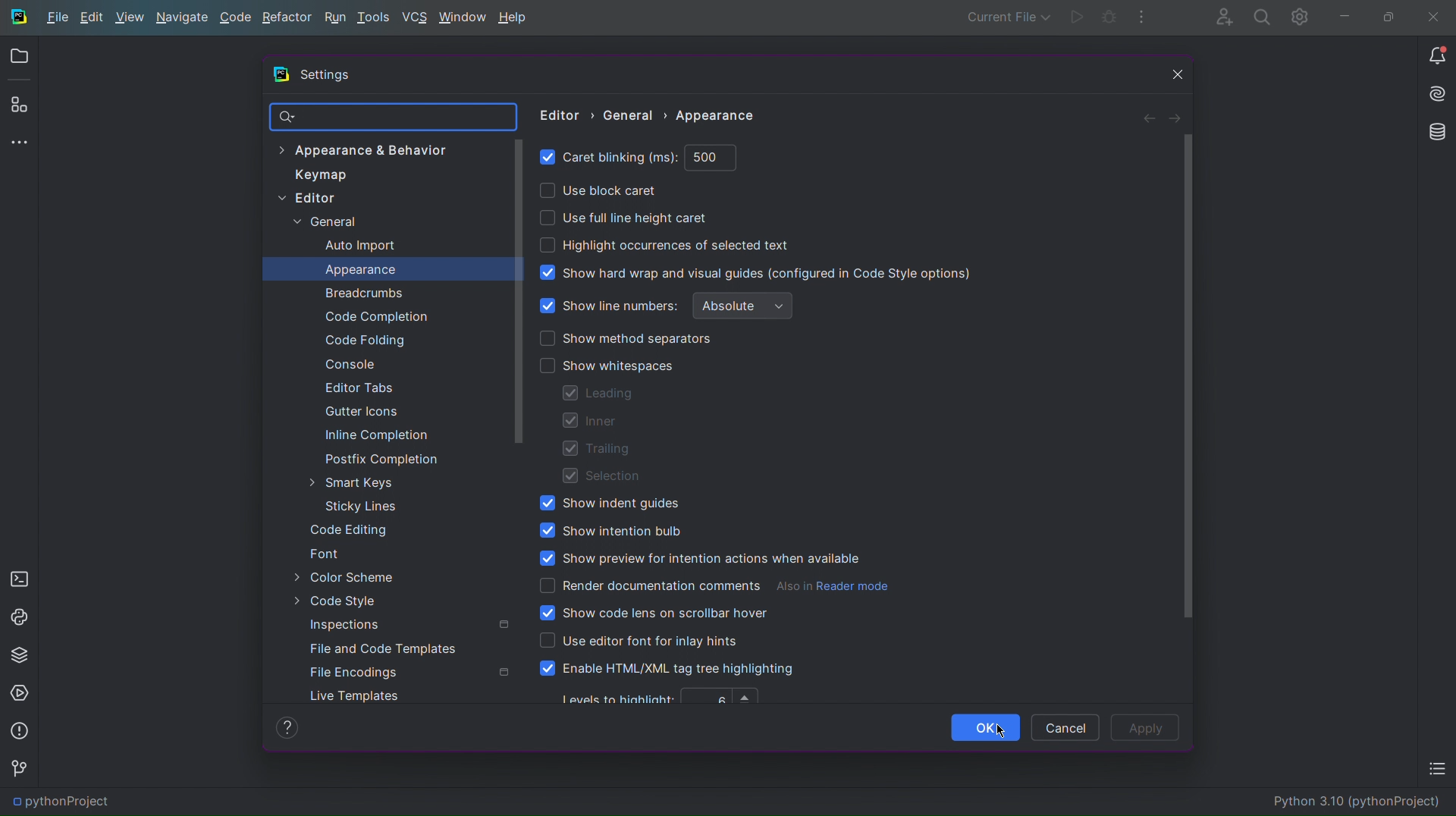  What do you see at coordinates (698, 559) in the screenshot?
I see `Show preview for intention actions when available` at bounding box center [698, 559].